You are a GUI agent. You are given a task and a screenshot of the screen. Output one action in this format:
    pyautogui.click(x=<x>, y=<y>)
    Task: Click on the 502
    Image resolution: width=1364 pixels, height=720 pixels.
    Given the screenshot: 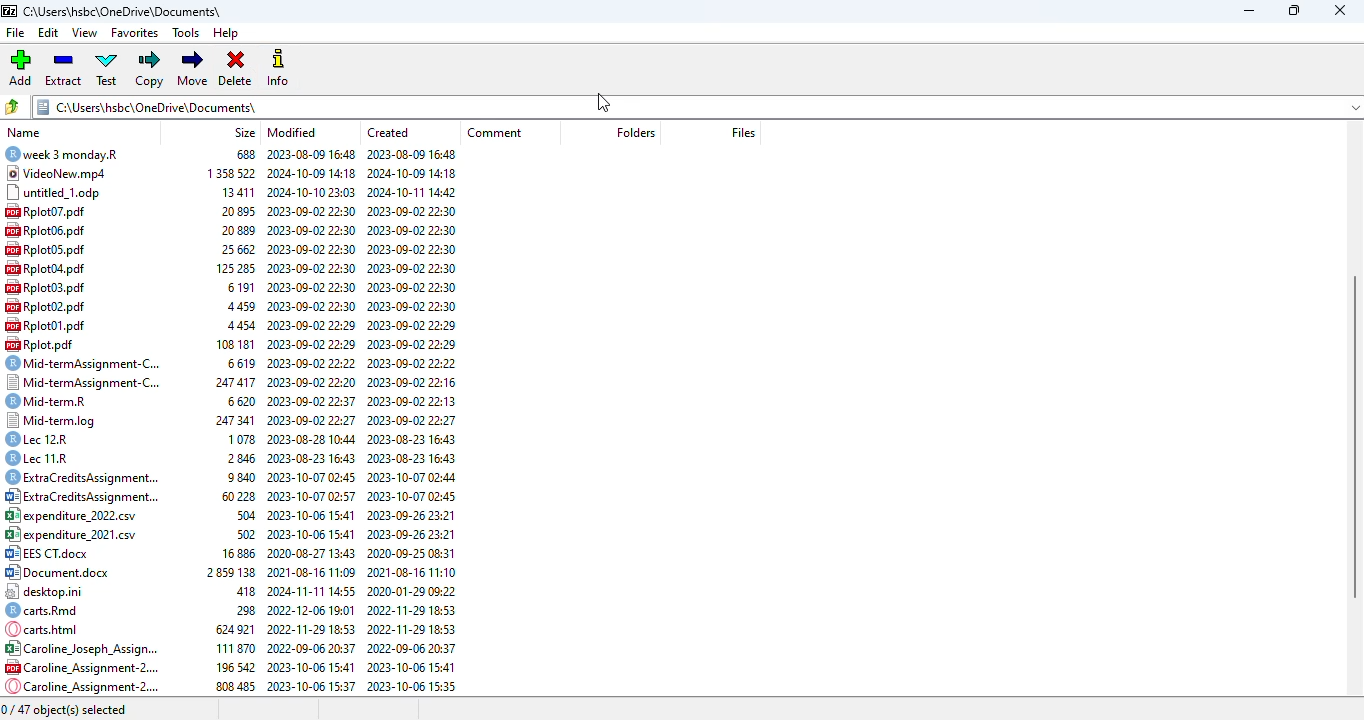 What is the action you would take?
    pyautogui.click(x=235, y=532)
    